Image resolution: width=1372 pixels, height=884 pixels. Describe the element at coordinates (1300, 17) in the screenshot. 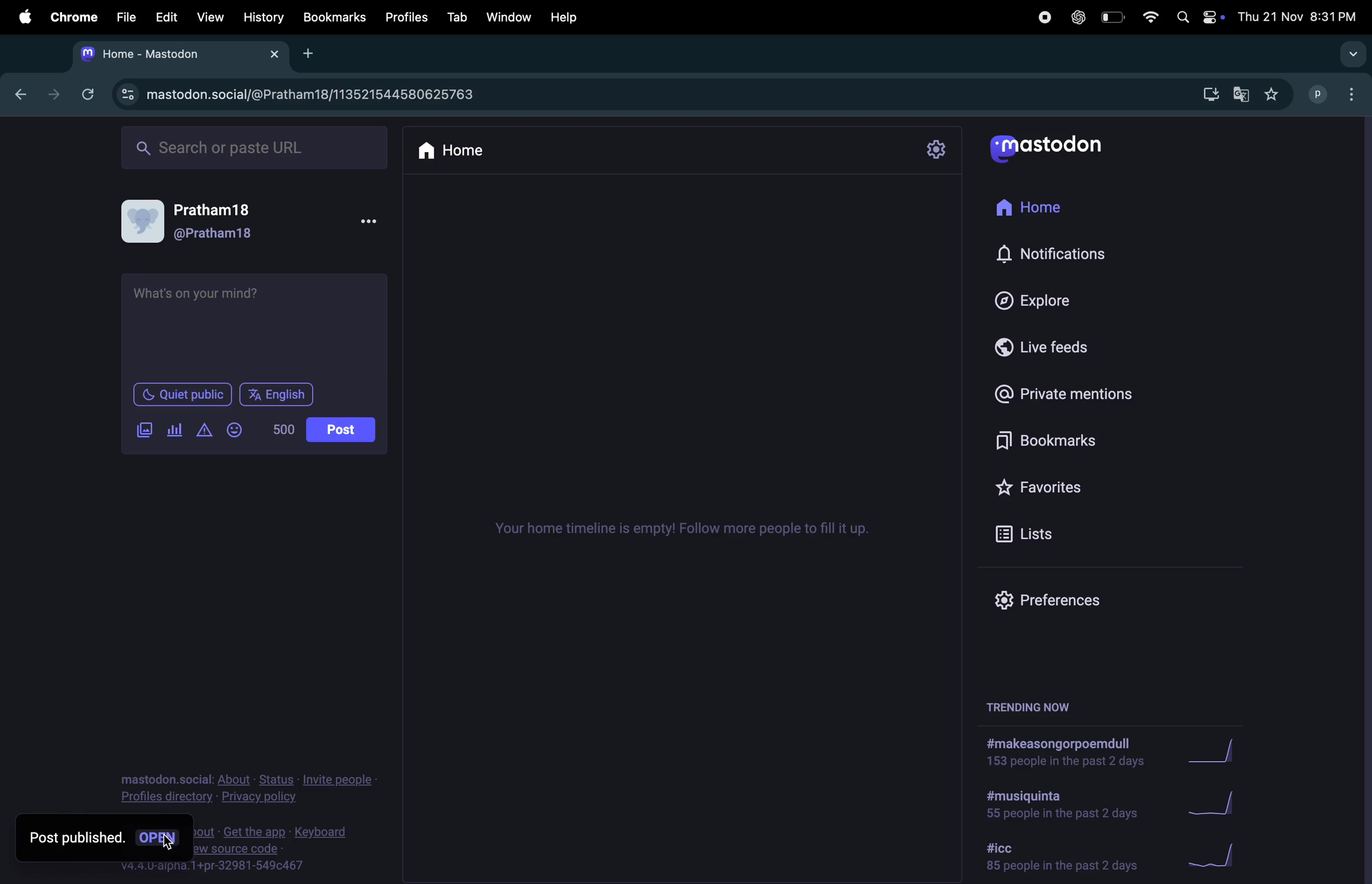

I see `date and time` at that location.